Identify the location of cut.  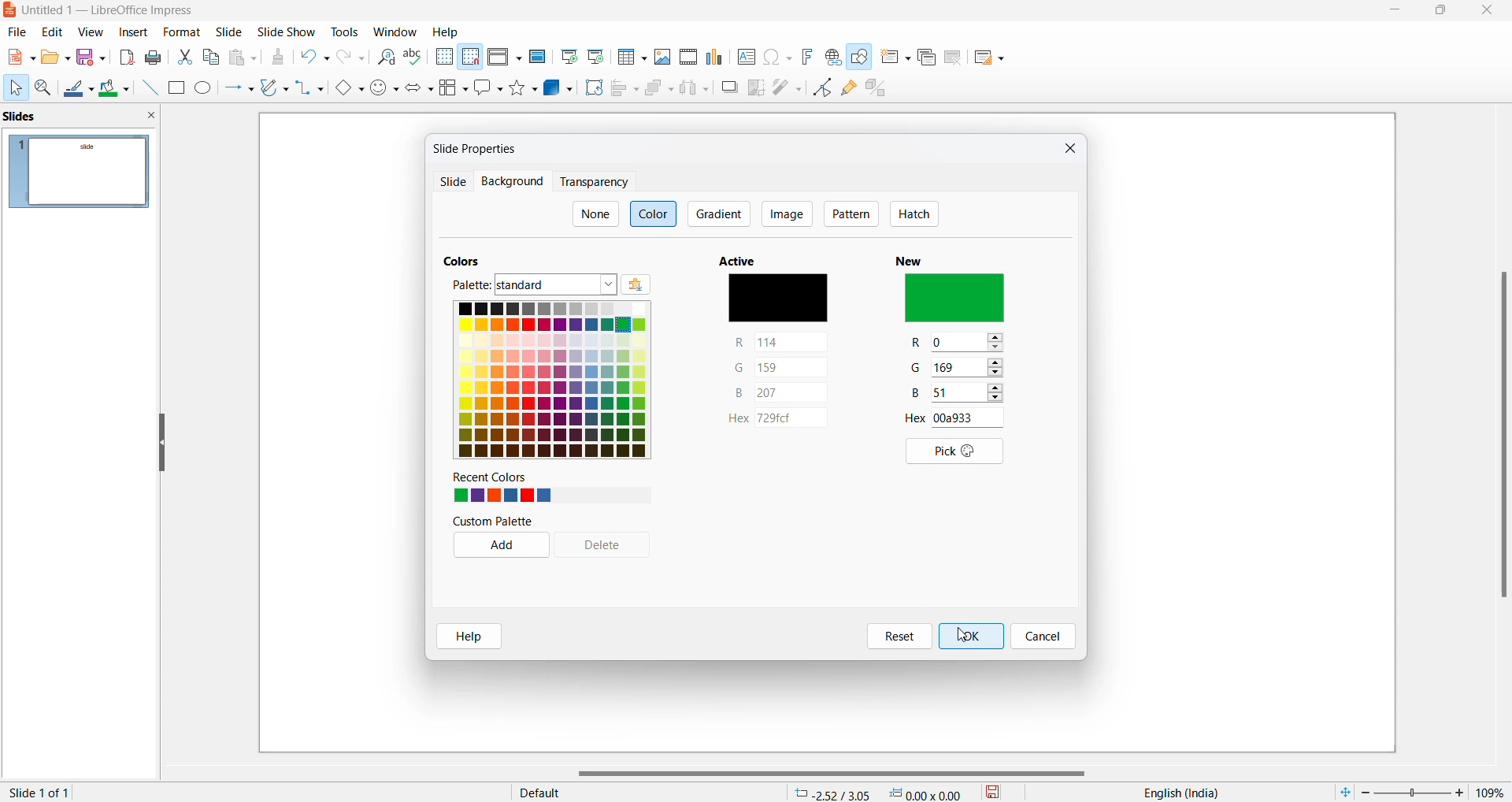
(186, 56).